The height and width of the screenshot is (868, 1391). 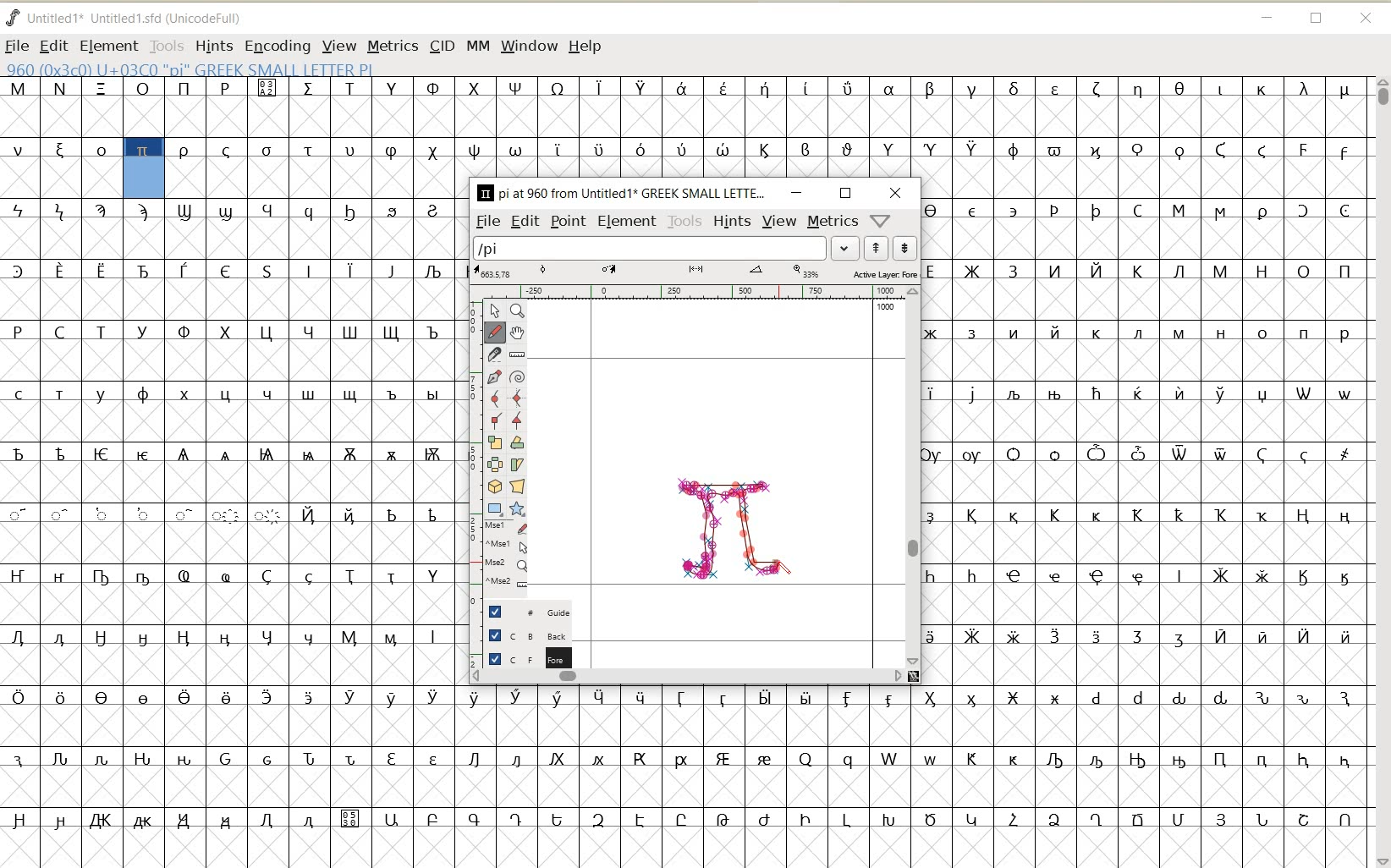 What do you see at coordinates (226, 474) in the screenshot?
I see `Glyph characters and numbers` at bounding box center [226, 474].